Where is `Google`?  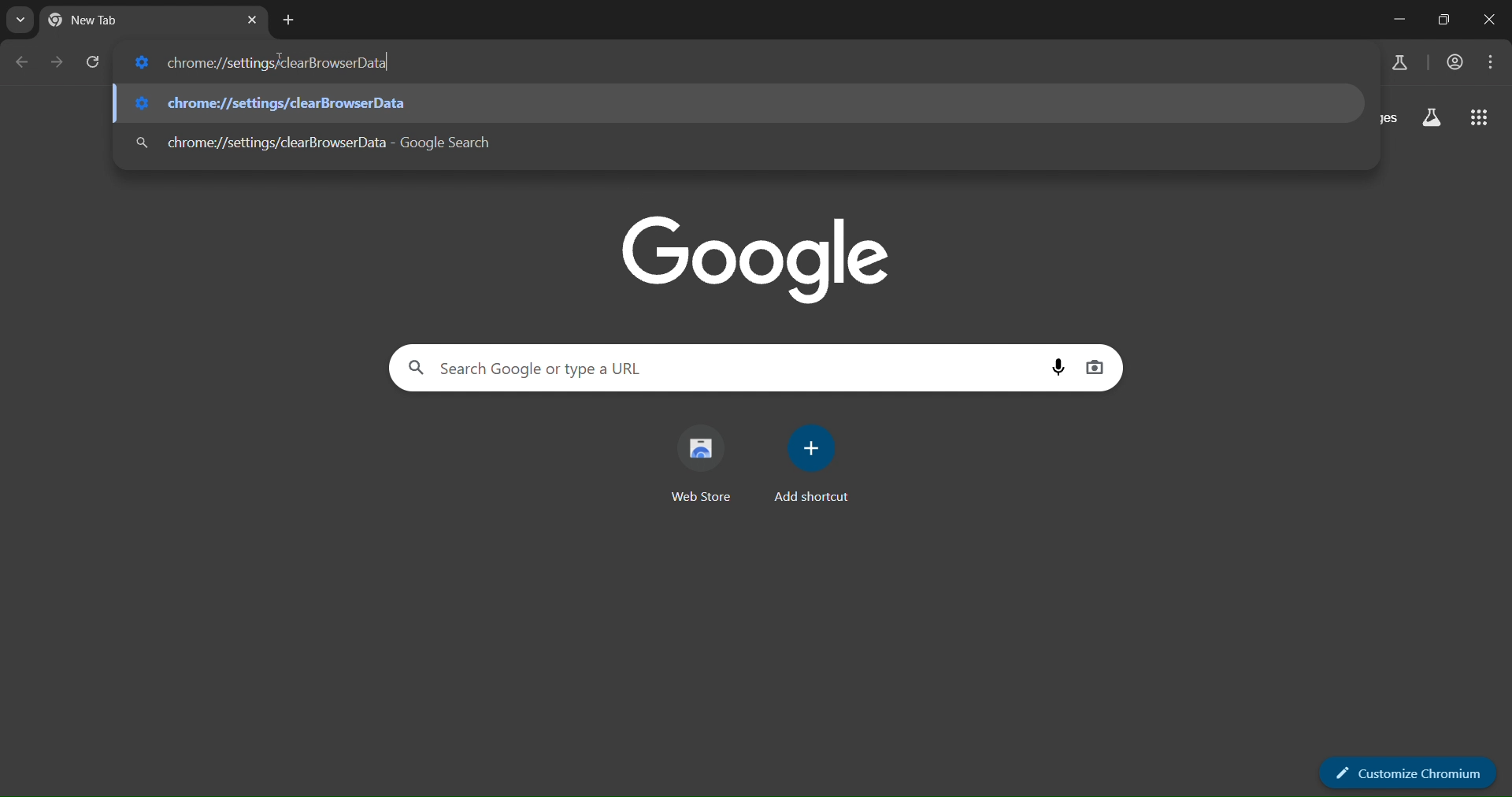 Google is located at coordinates (758, 258).